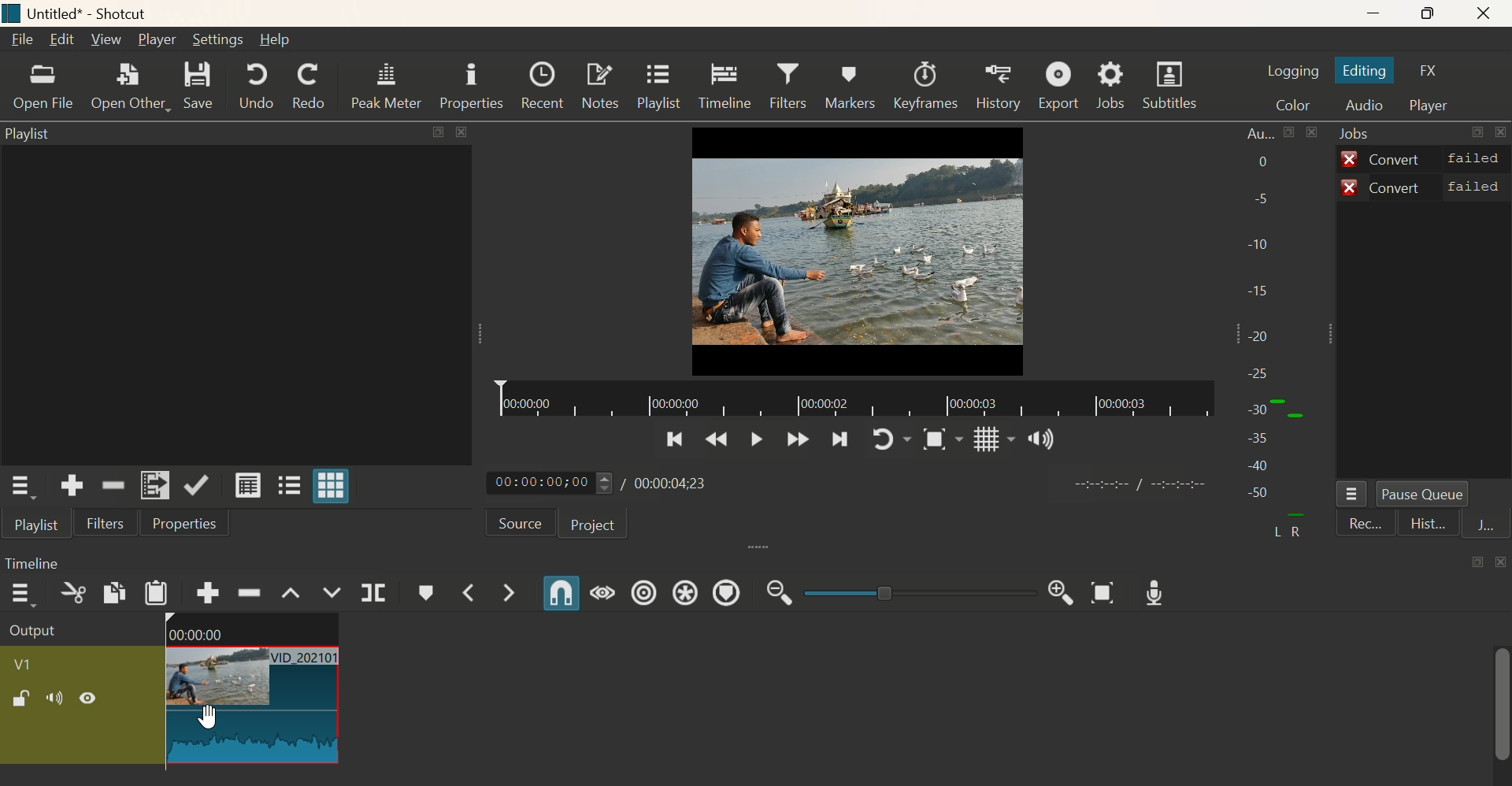  What do you see at coordinates (674, 443) in the screenshot?
I see `Previoous` at bounding box center [674, 443].